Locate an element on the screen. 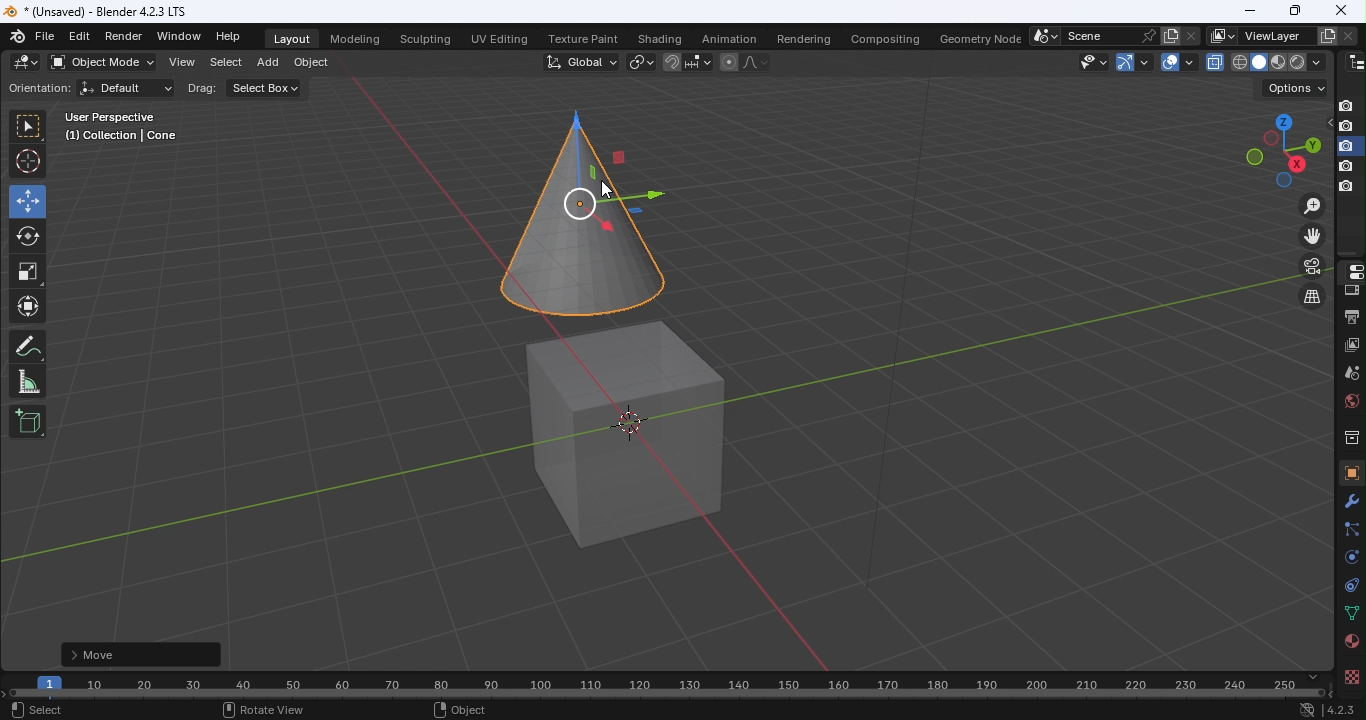 This screenshot has width=1366, height=720. New scene is located at coordinates (1169, 35).